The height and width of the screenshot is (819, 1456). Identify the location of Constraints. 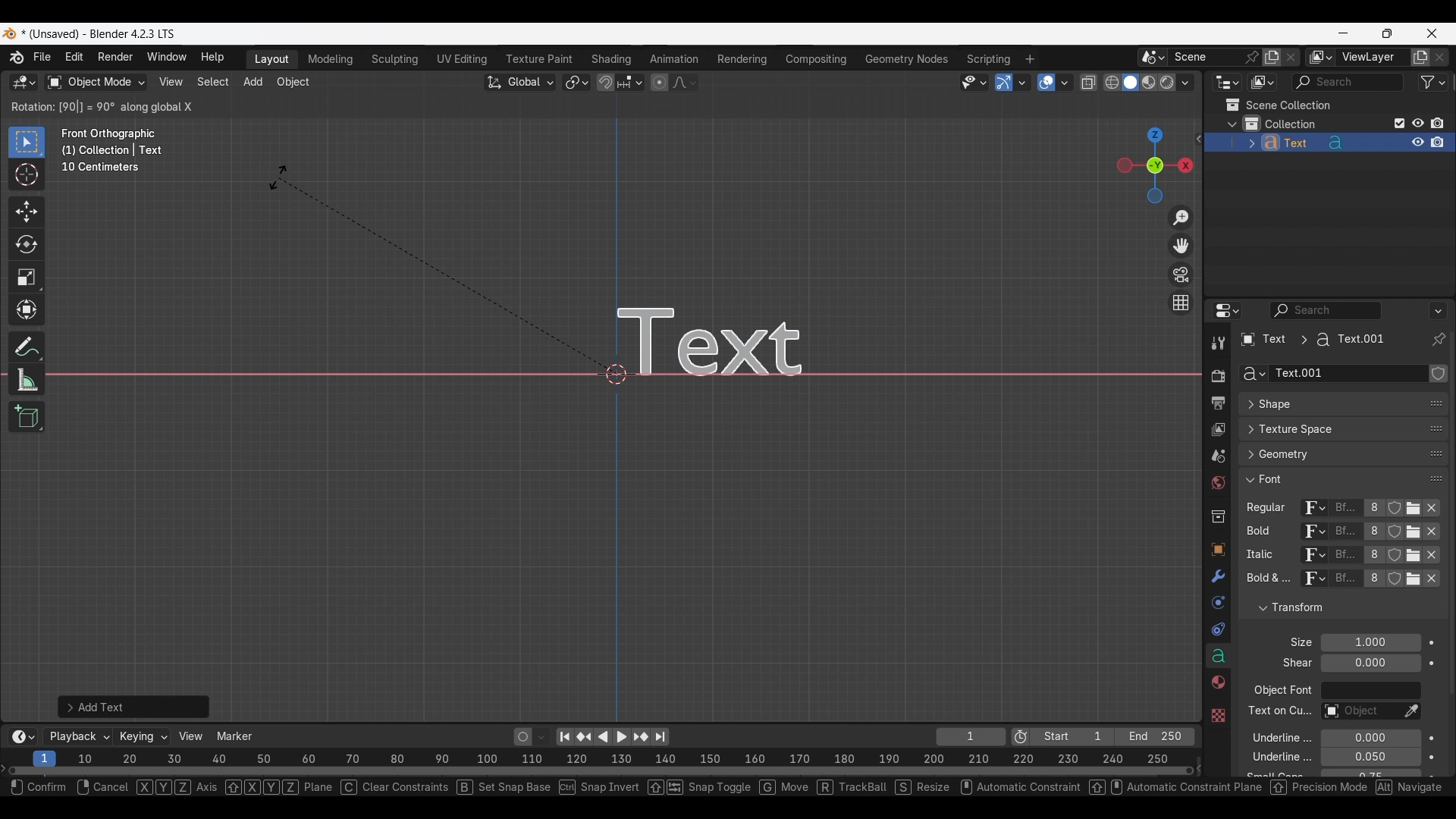
(1218, 630).